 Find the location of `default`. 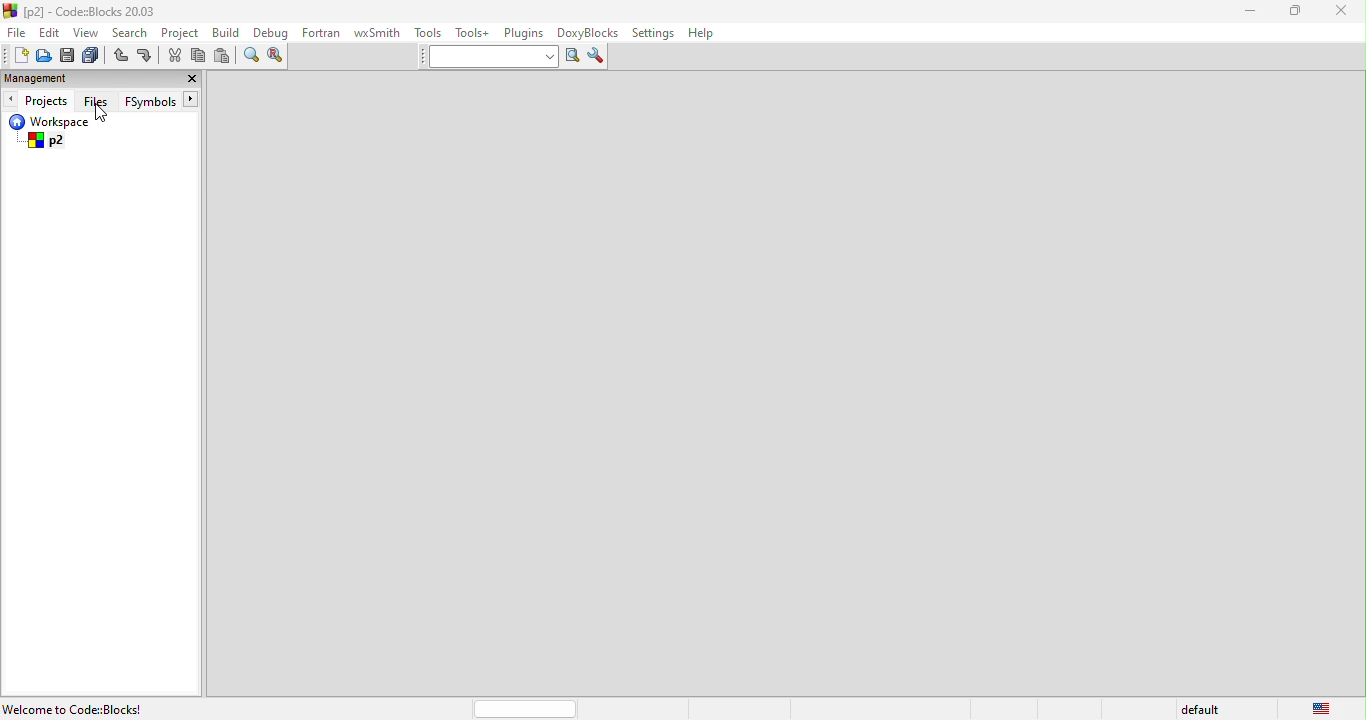

default is located at coordinates (1203, 708).